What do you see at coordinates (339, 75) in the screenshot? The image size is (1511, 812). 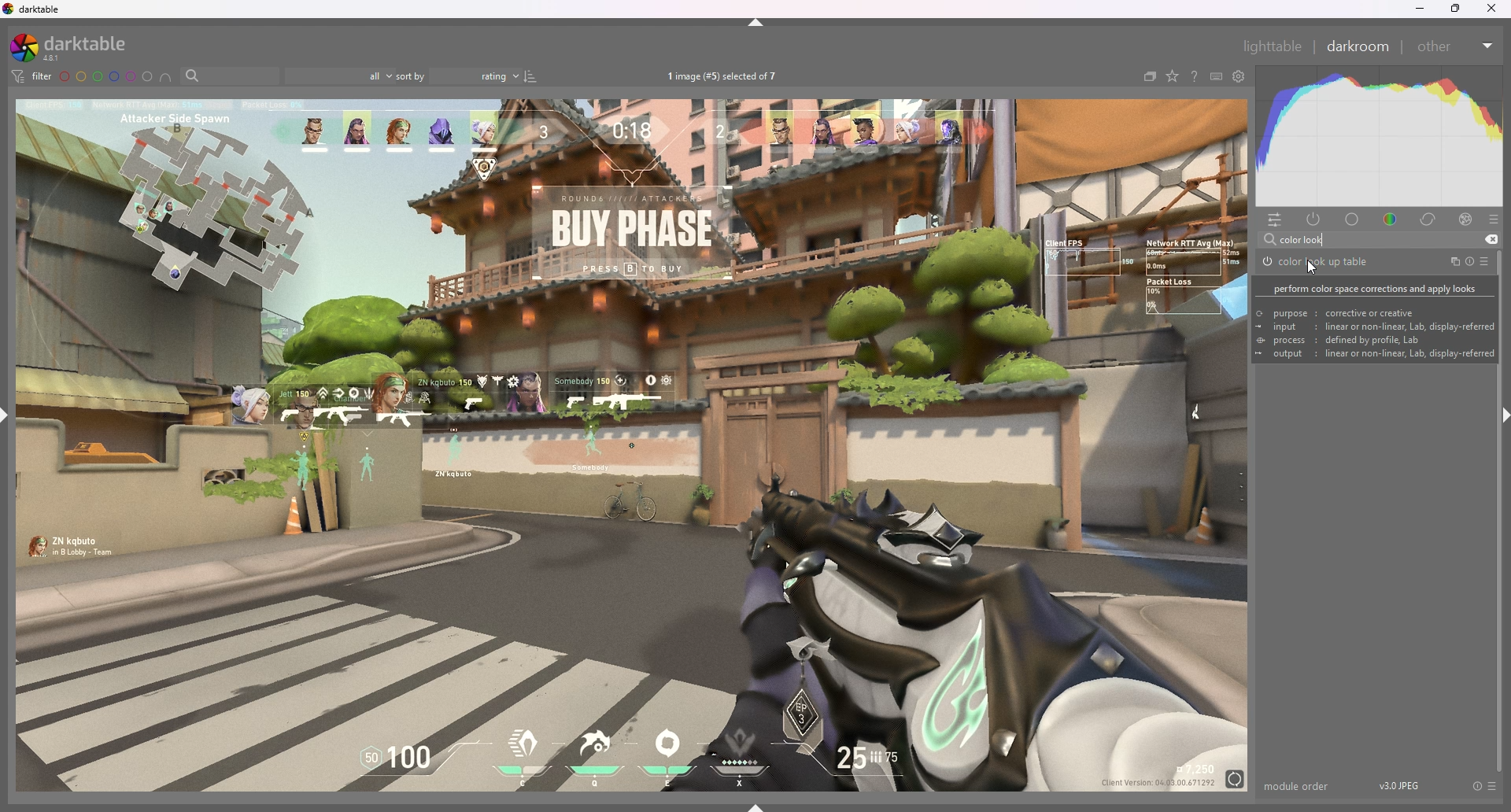 I see `filter by images rating` at bounding box center [339, 75].